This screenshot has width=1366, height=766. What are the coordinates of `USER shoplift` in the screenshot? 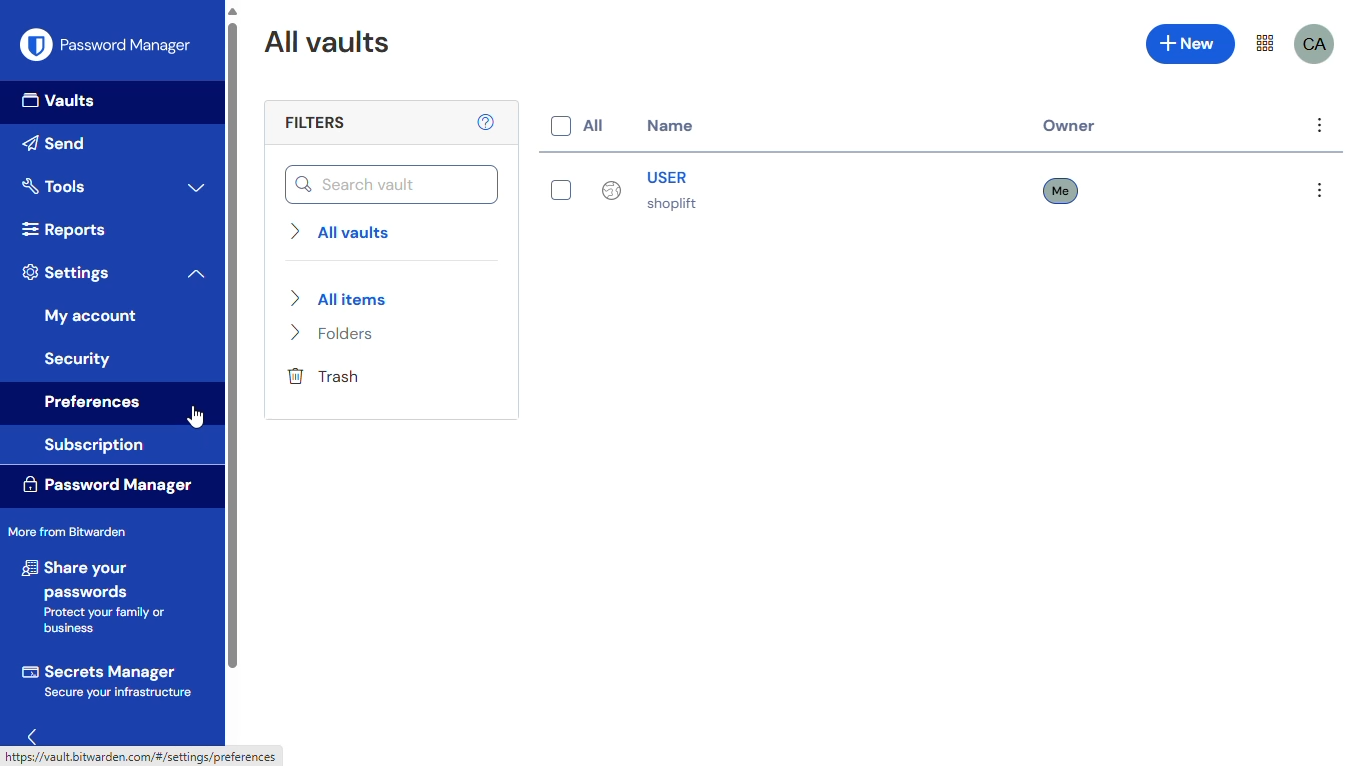 It's located at (620, 188).